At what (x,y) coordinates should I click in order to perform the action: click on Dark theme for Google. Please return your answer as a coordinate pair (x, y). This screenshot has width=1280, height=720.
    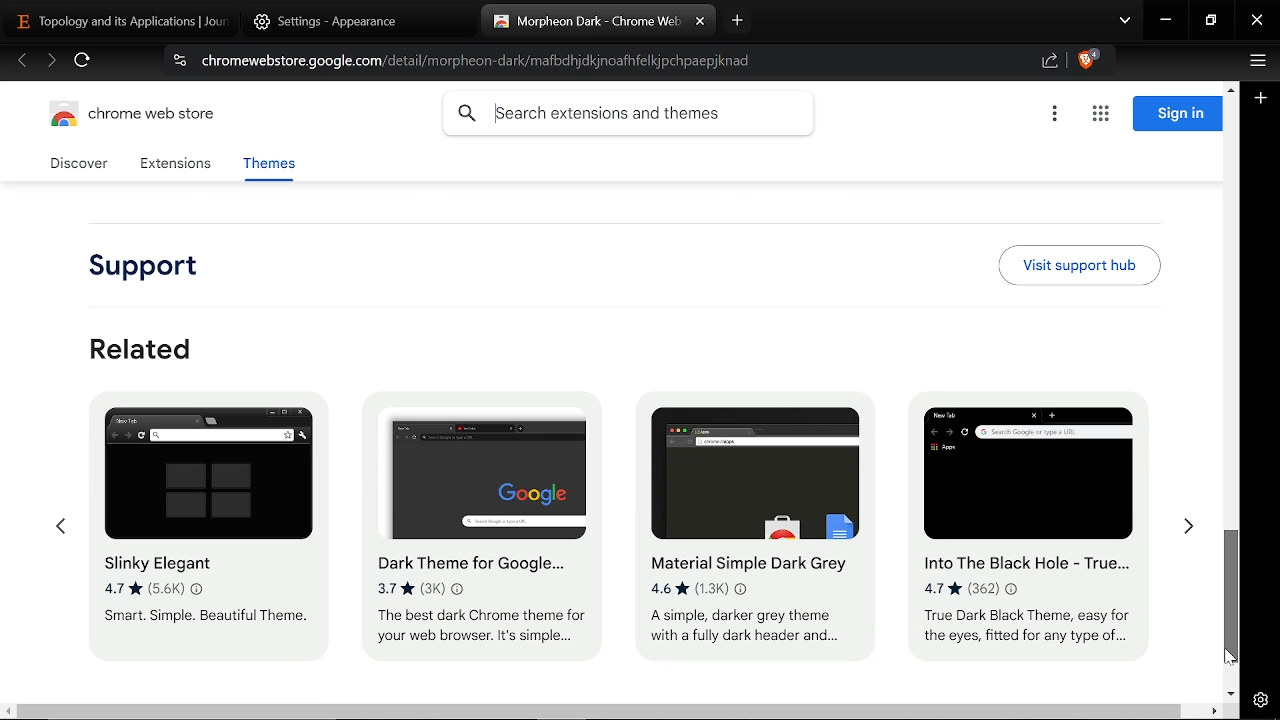
    Looking at the image, I should click on (485, 534).